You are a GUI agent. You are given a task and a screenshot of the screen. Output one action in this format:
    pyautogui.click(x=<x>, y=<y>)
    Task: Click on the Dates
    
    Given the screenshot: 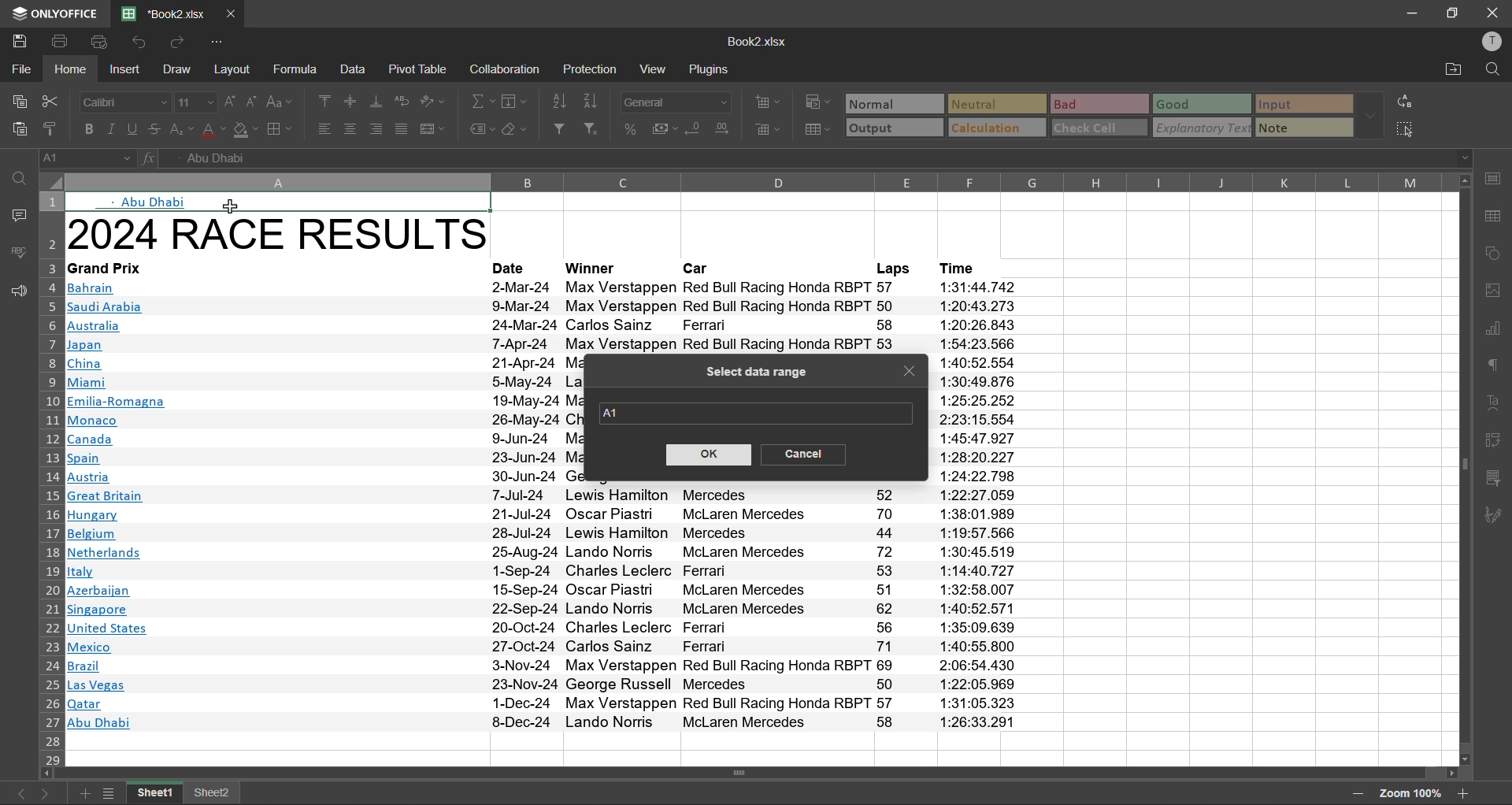 What is the action you would take?
    pyautogui.click(x=525, y=542)
    